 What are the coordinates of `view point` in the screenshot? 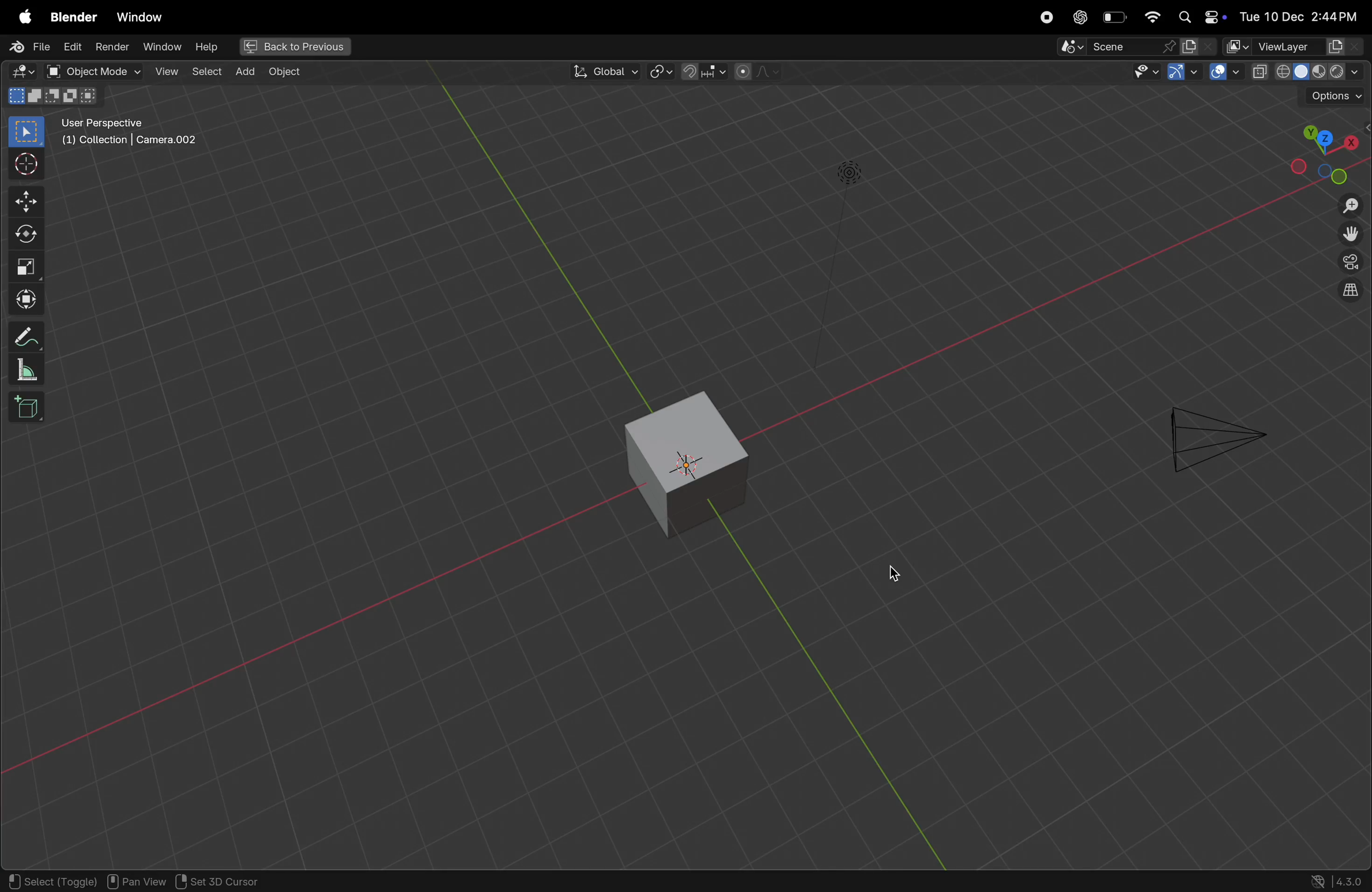 It's located at (1328, 151).